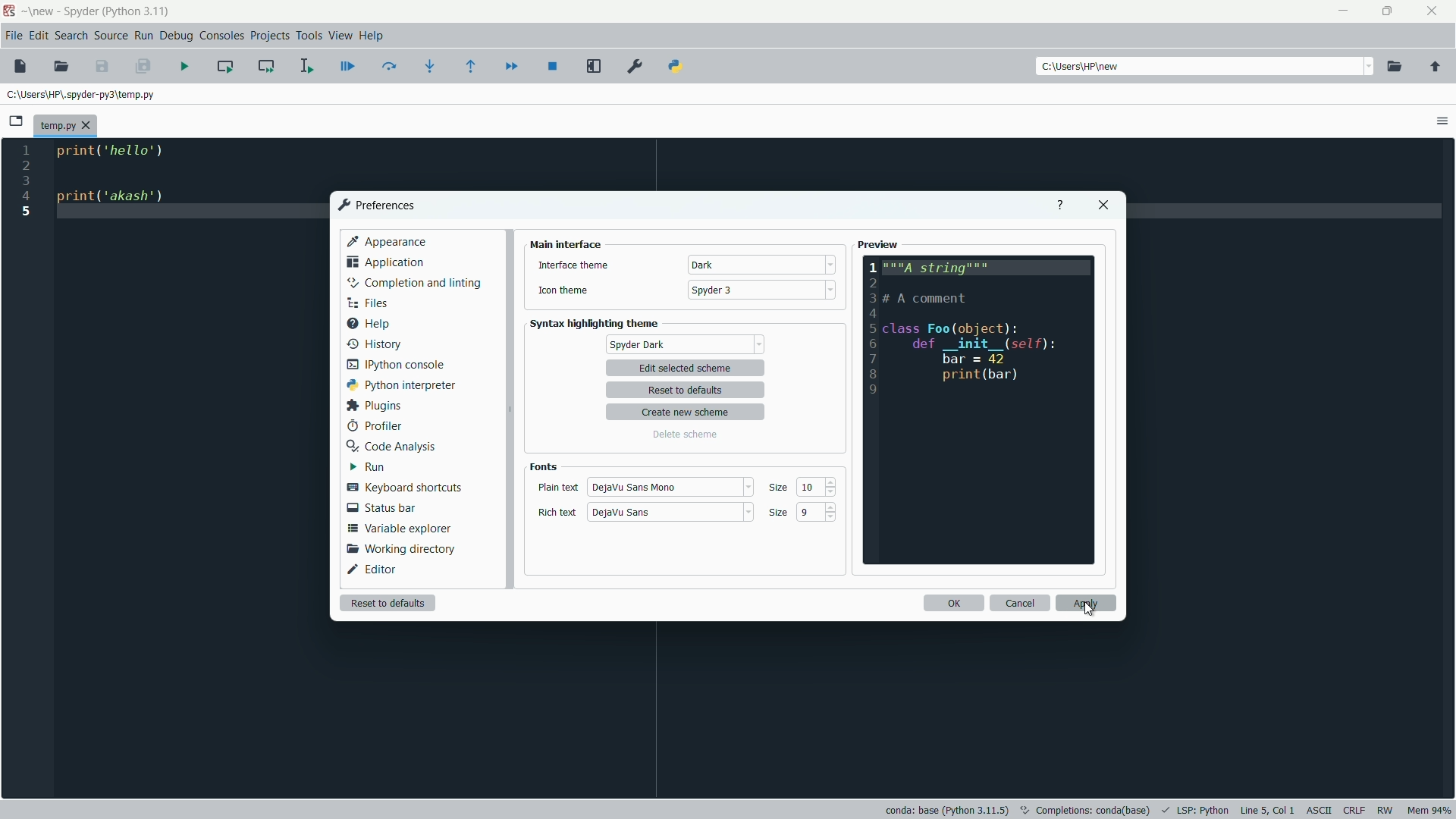 The height and width of the screenshot is (819, 1456). I want to click on file name, so click(64, 127).